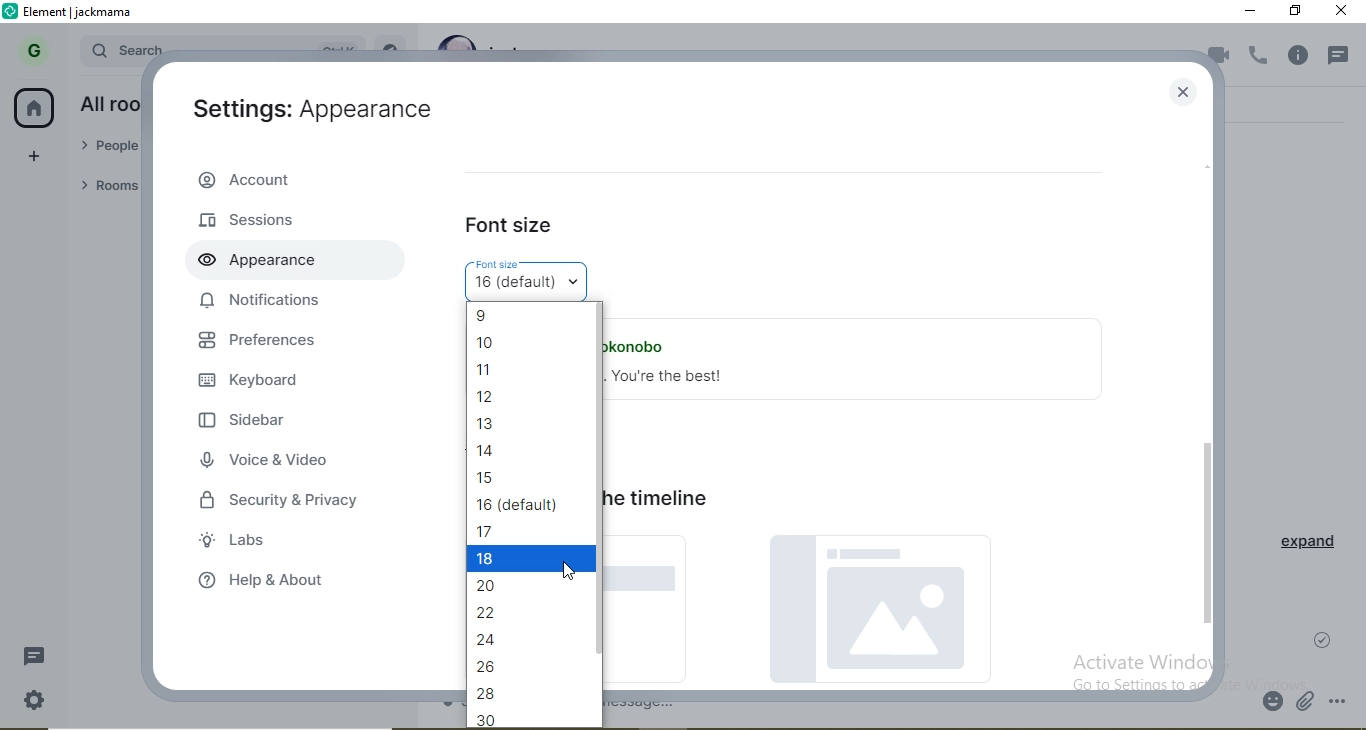 This screenshot has height=730, width=1366. What do you see at coordinates (1140, 657) in the screenshot?
I see `Activate Windows` at bounding box center [1140, 657].